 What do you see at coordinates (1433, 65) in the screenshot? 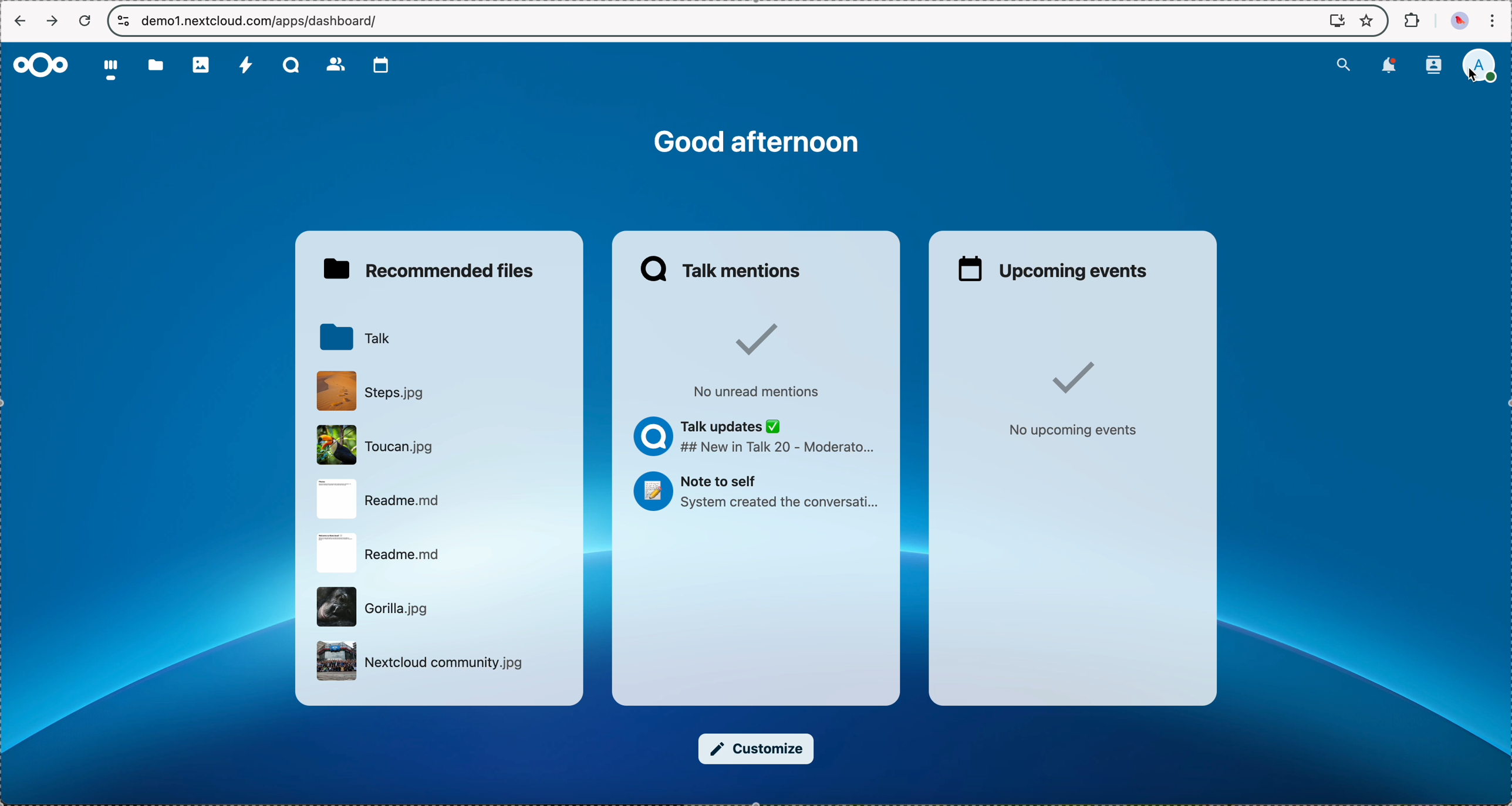
I see `contacts` at bounding box center [1433, 65].